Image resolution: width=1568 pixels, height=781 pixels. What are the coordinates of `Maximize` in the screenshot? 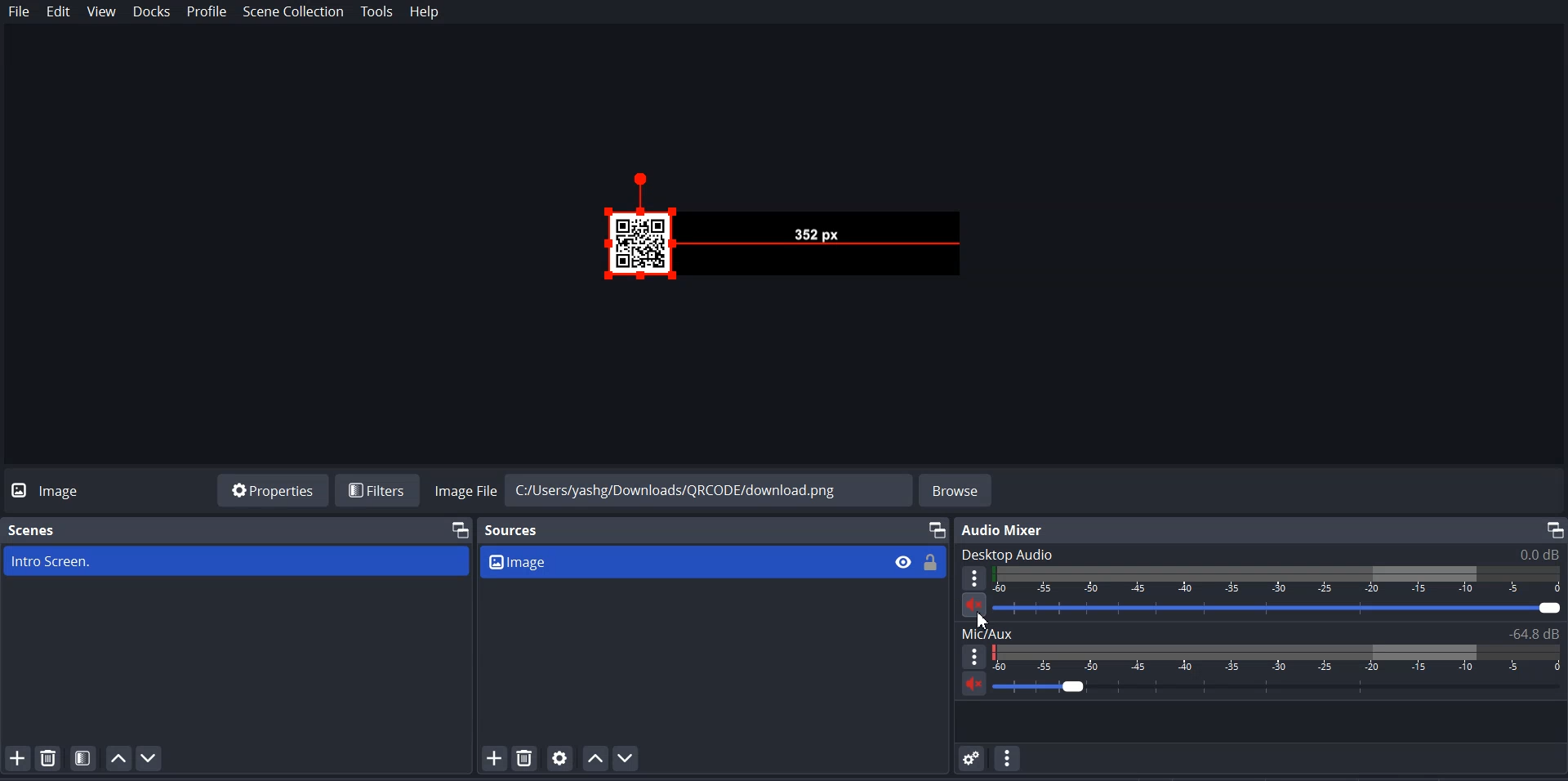 It's located at (937, 529).